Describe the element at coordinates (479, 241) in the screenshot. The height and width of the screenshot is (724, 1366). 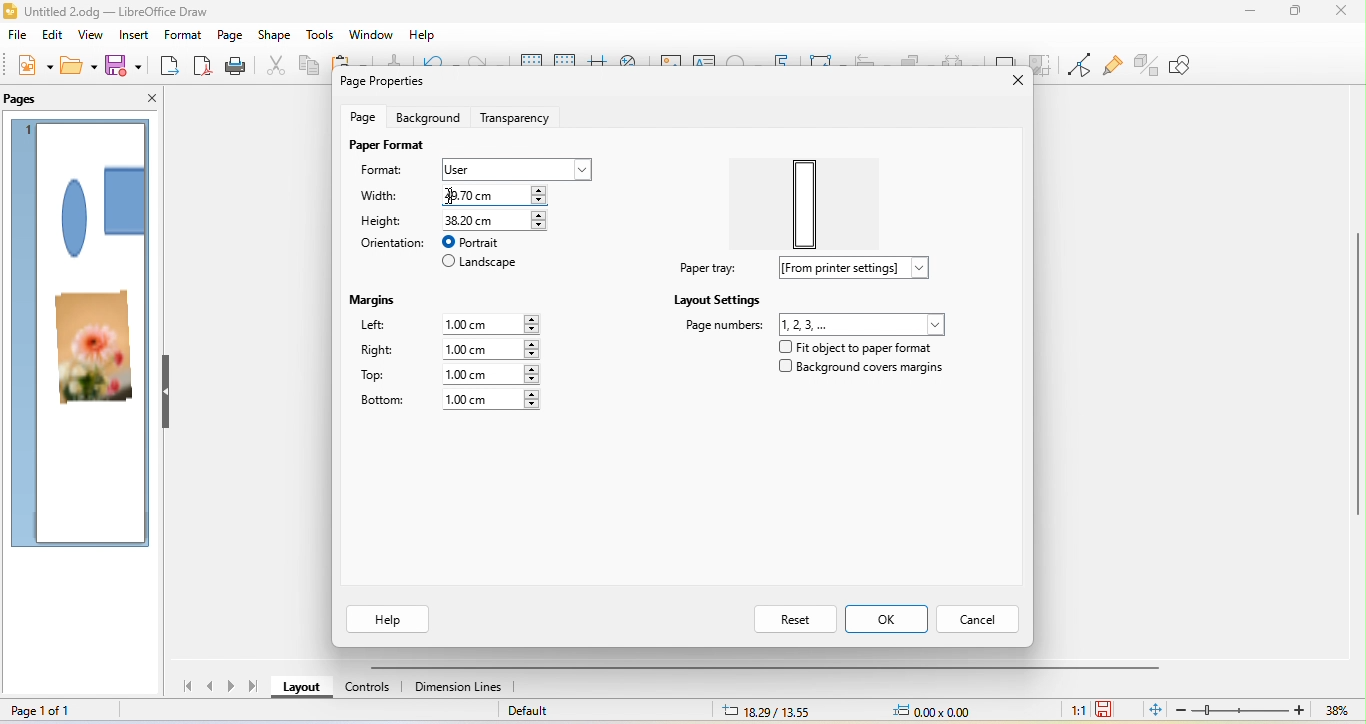
I see `portrait` at that location.